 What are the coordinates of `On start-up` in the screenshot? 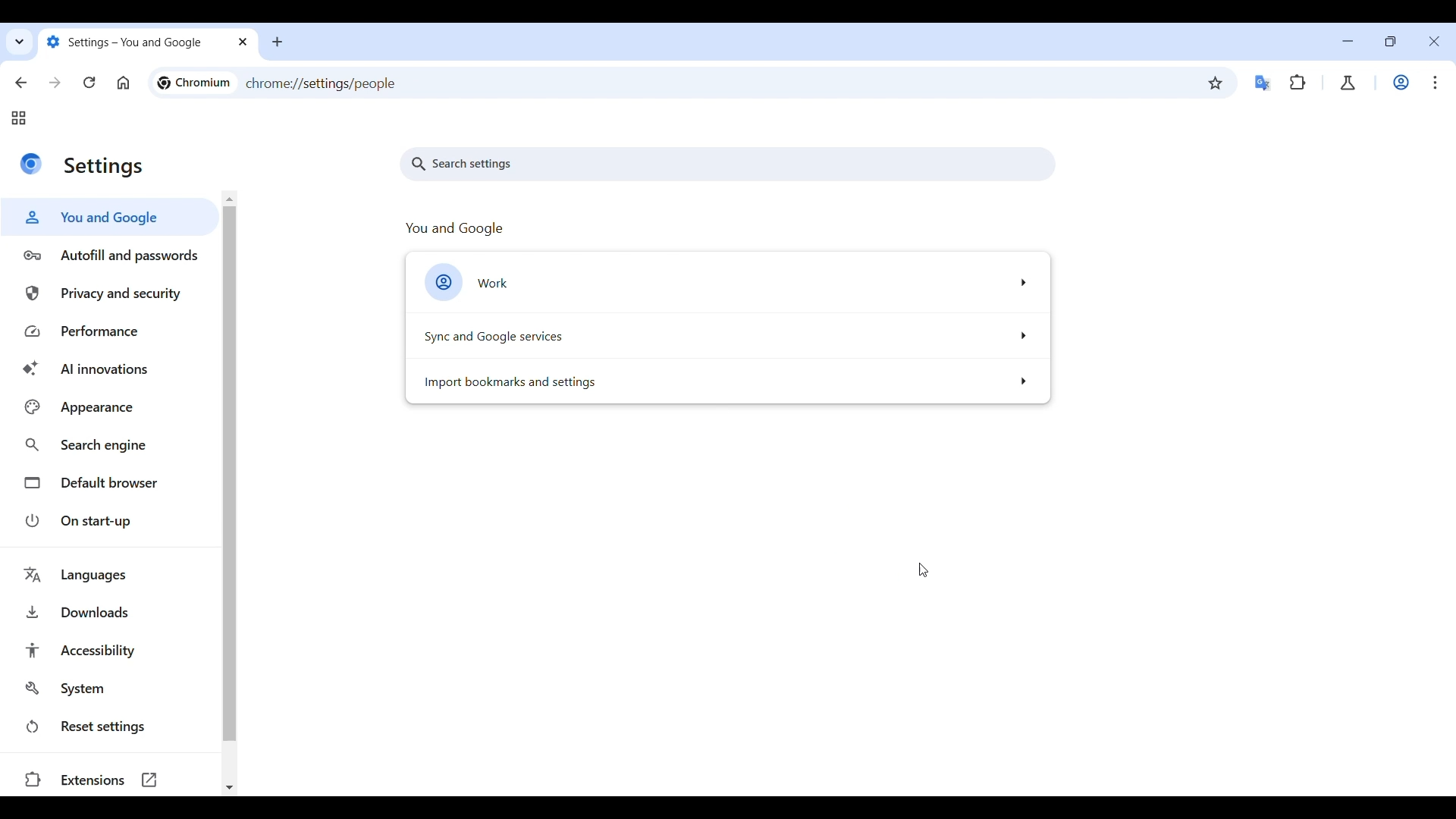 It's located at (109, 522).